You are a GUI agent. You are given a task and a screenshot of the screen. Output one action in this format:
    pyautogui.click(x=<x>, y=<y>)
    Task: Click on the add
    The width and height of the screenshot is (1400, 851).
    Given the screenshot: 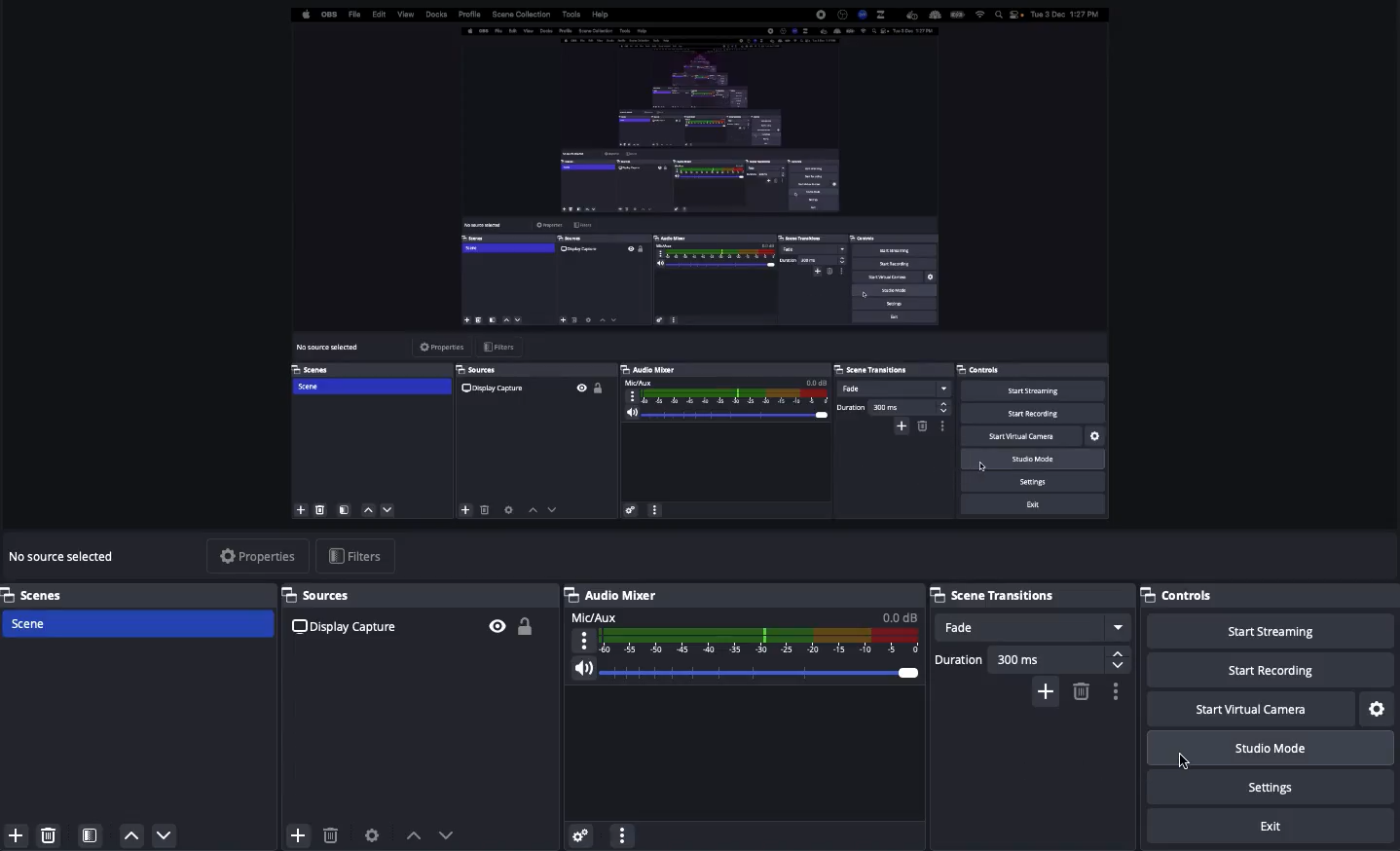 What is the action you would take?
    pyautogui.click(x=14, y=836)
    